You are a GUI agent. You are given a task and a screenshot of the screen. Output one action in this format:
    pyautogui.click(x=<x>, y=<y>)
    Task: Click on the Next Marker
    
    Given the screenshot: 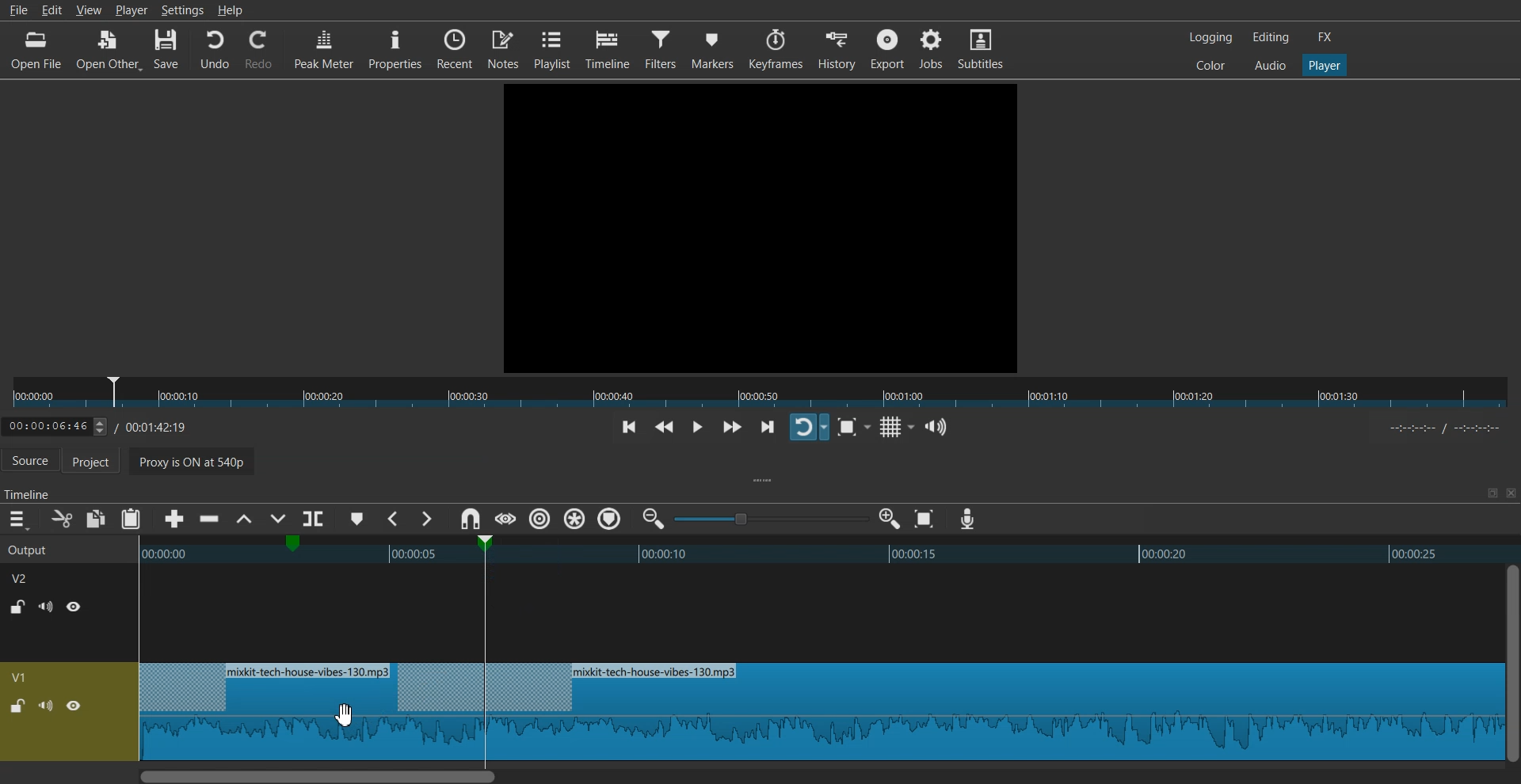 What is the action you would take?
    pyautogui.click(x=425, y=519)
    